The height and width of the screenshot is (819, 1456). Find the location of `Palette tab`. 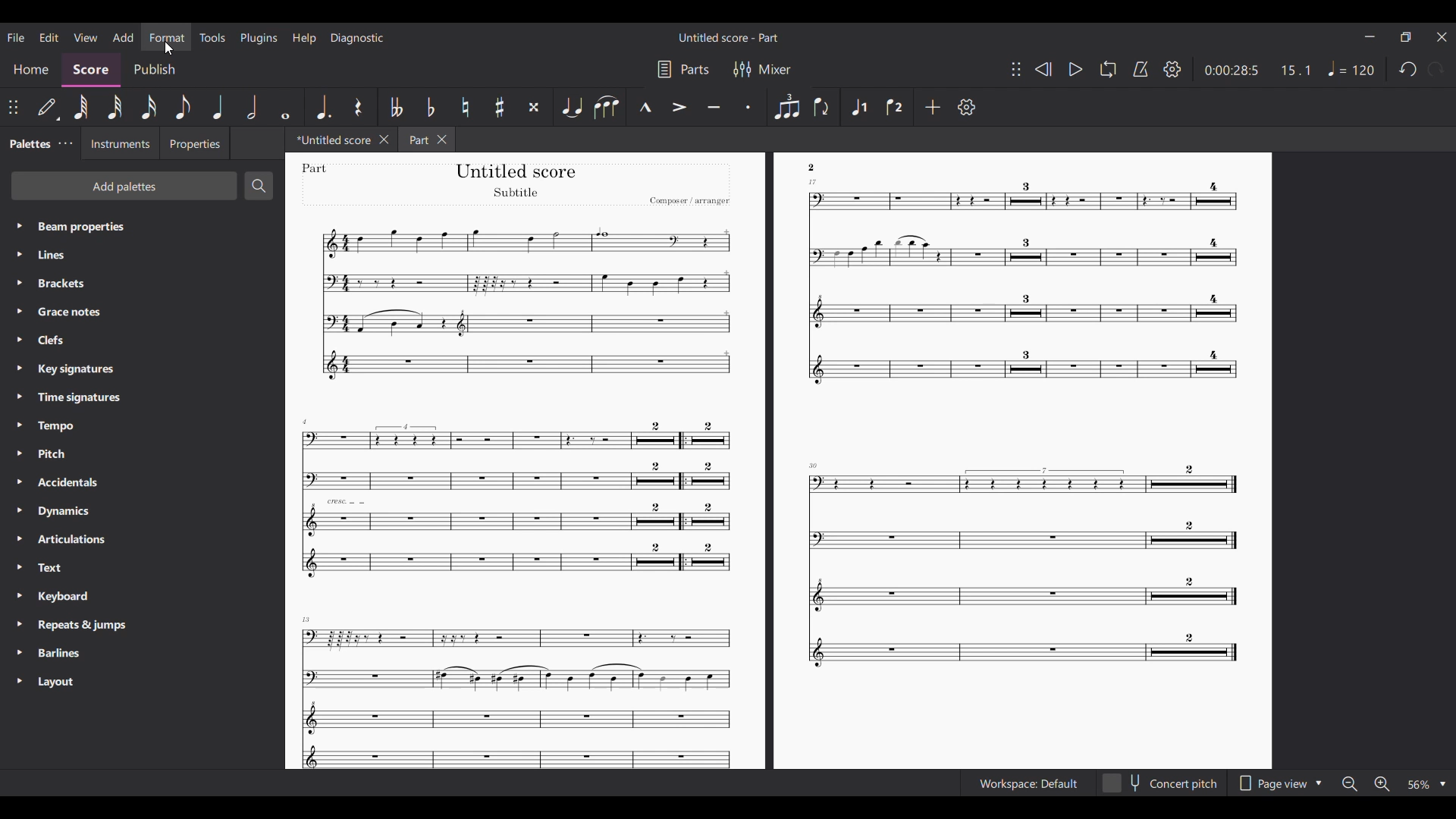

Palette tab is located at coordinates (27, 144).